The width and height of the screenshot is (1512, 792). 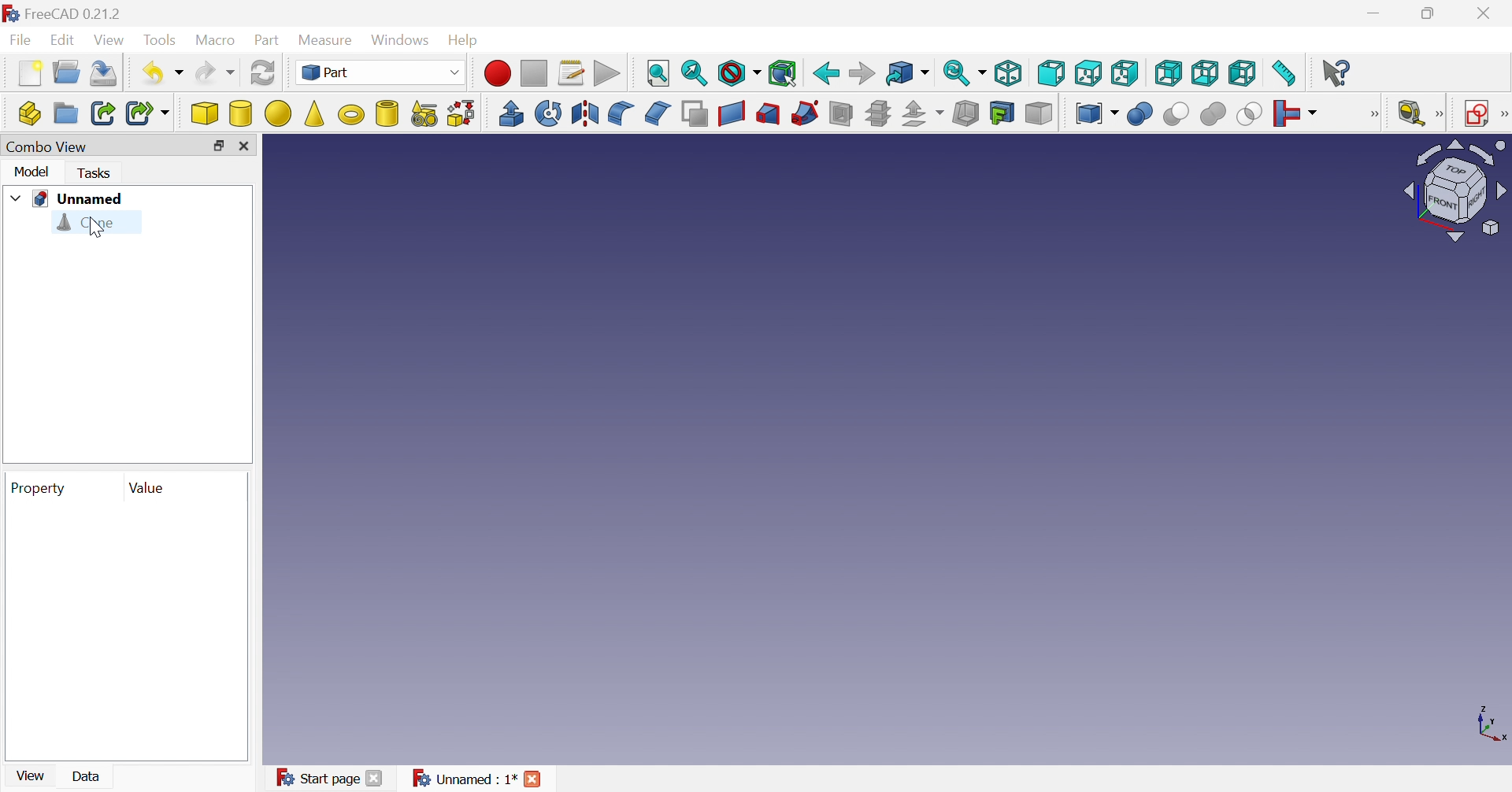 I want to click on Torus, so click(x=349, y=114).